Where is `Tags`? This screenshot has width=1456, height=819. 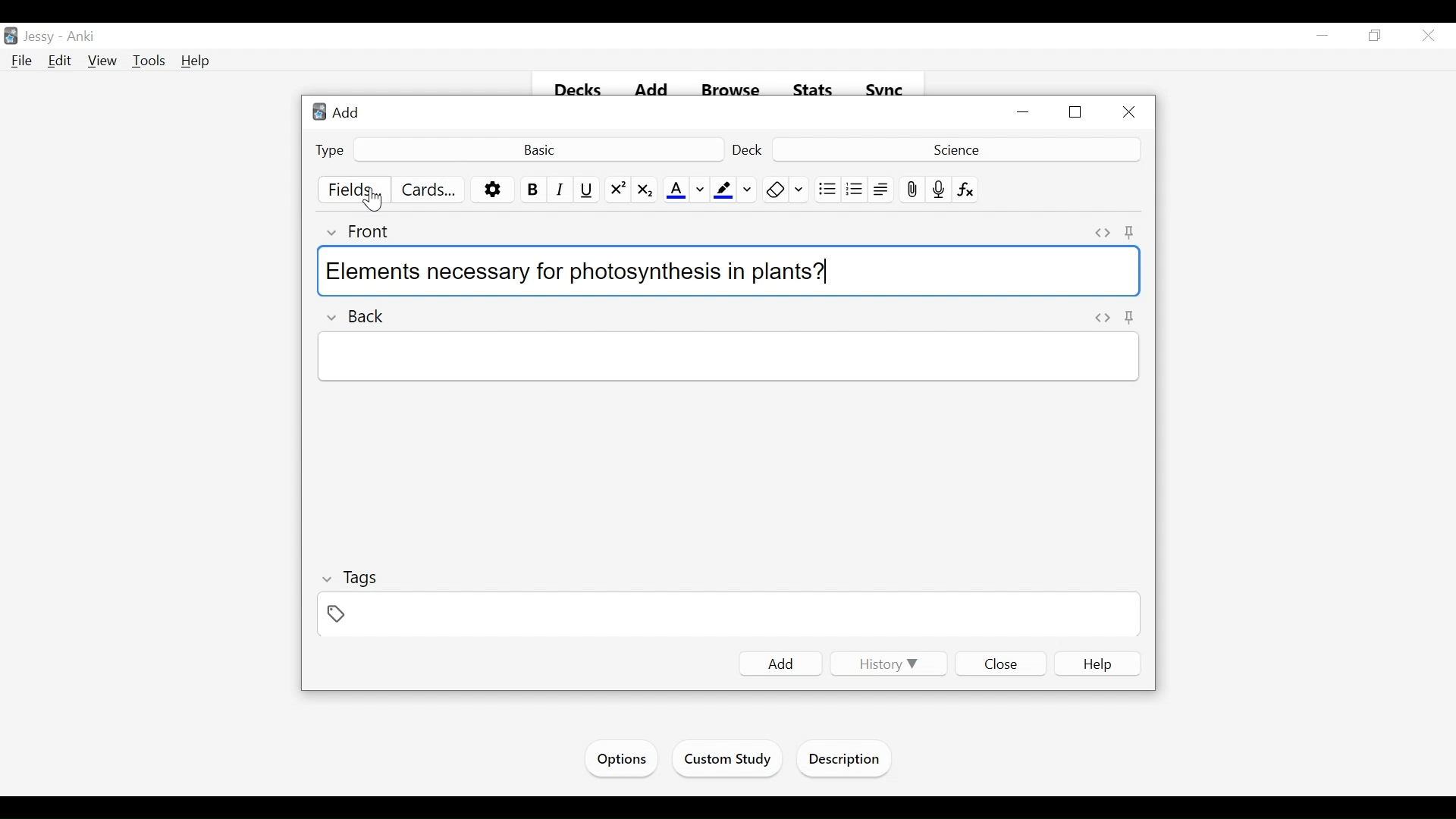
Tags is located at coordinates (351, 579).